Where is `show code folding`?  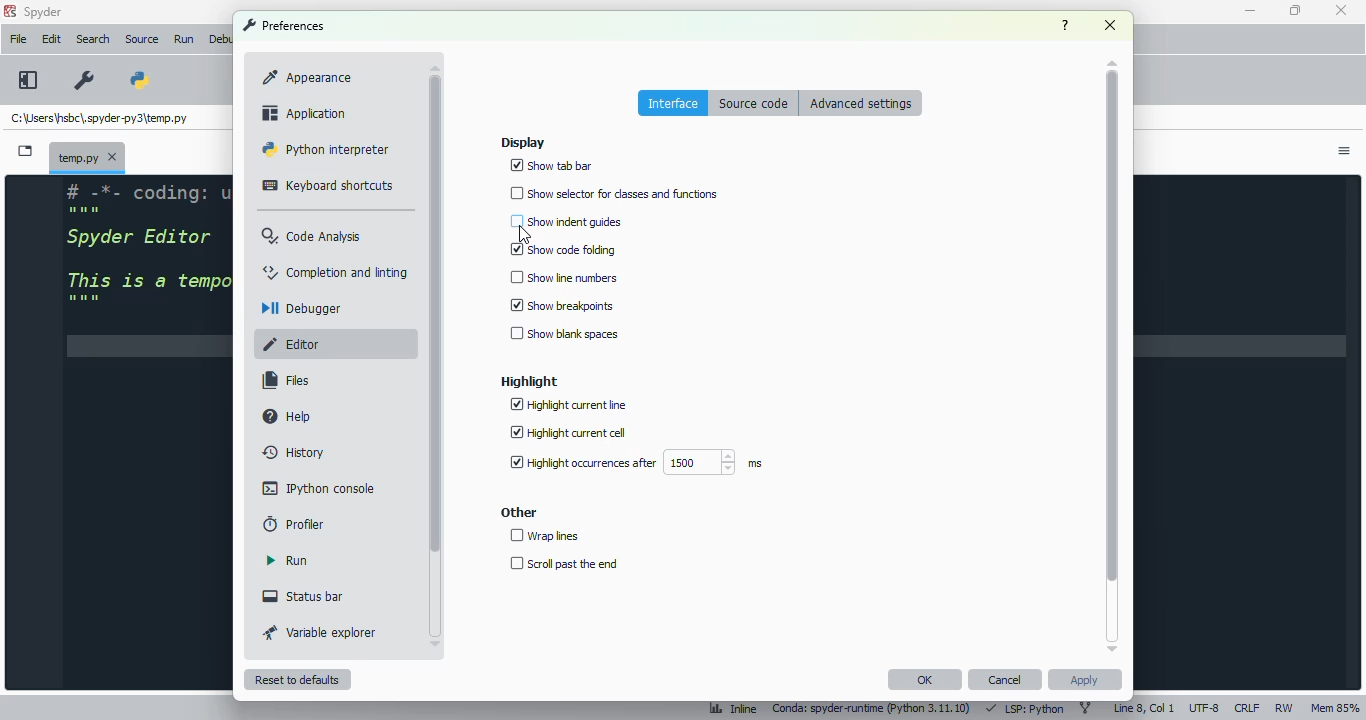
show code folding is located at coordinates (562, 250).